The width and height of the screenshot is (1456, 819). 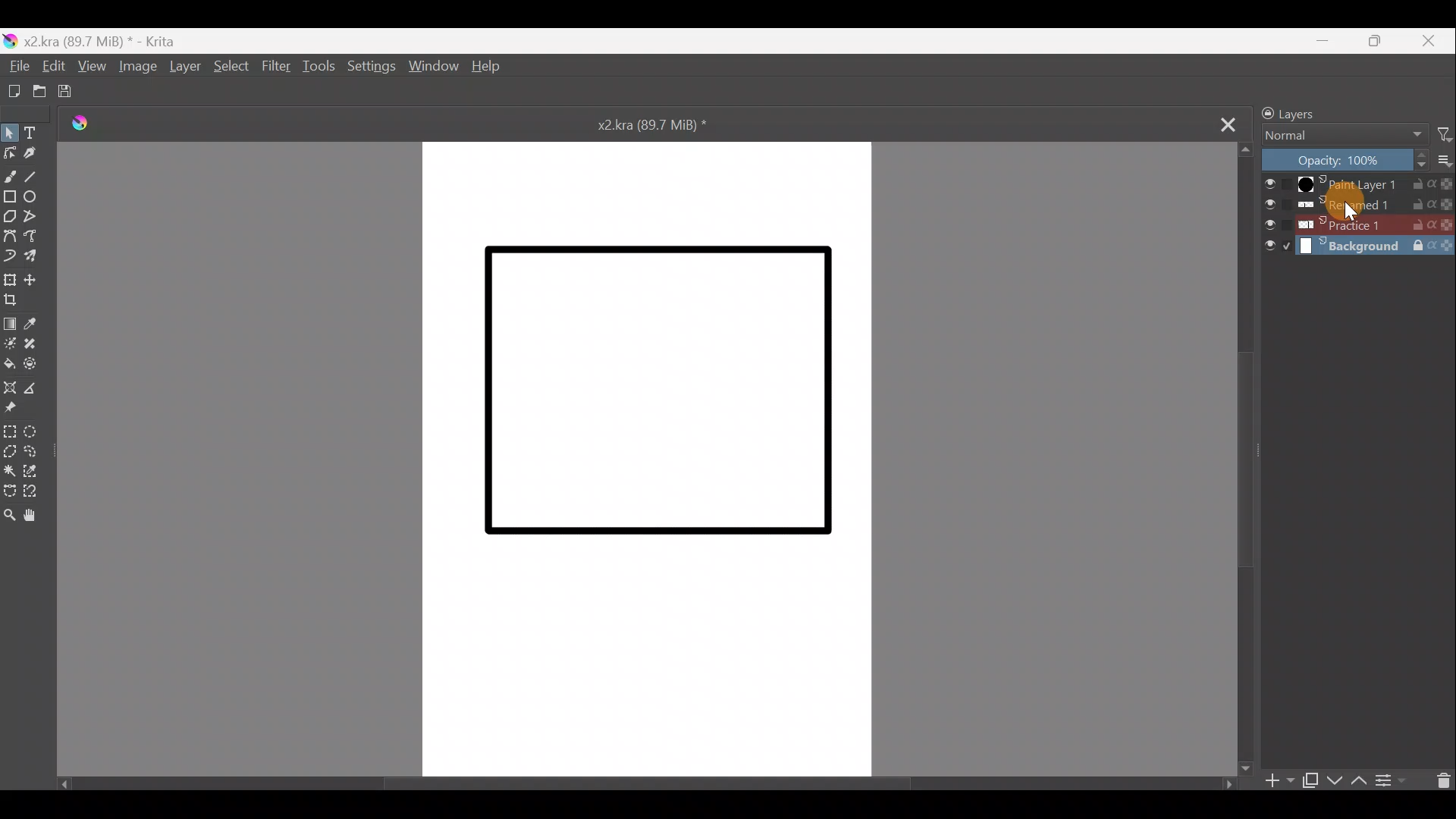 I want to click on Close tab, so click(x=1222, y=122).